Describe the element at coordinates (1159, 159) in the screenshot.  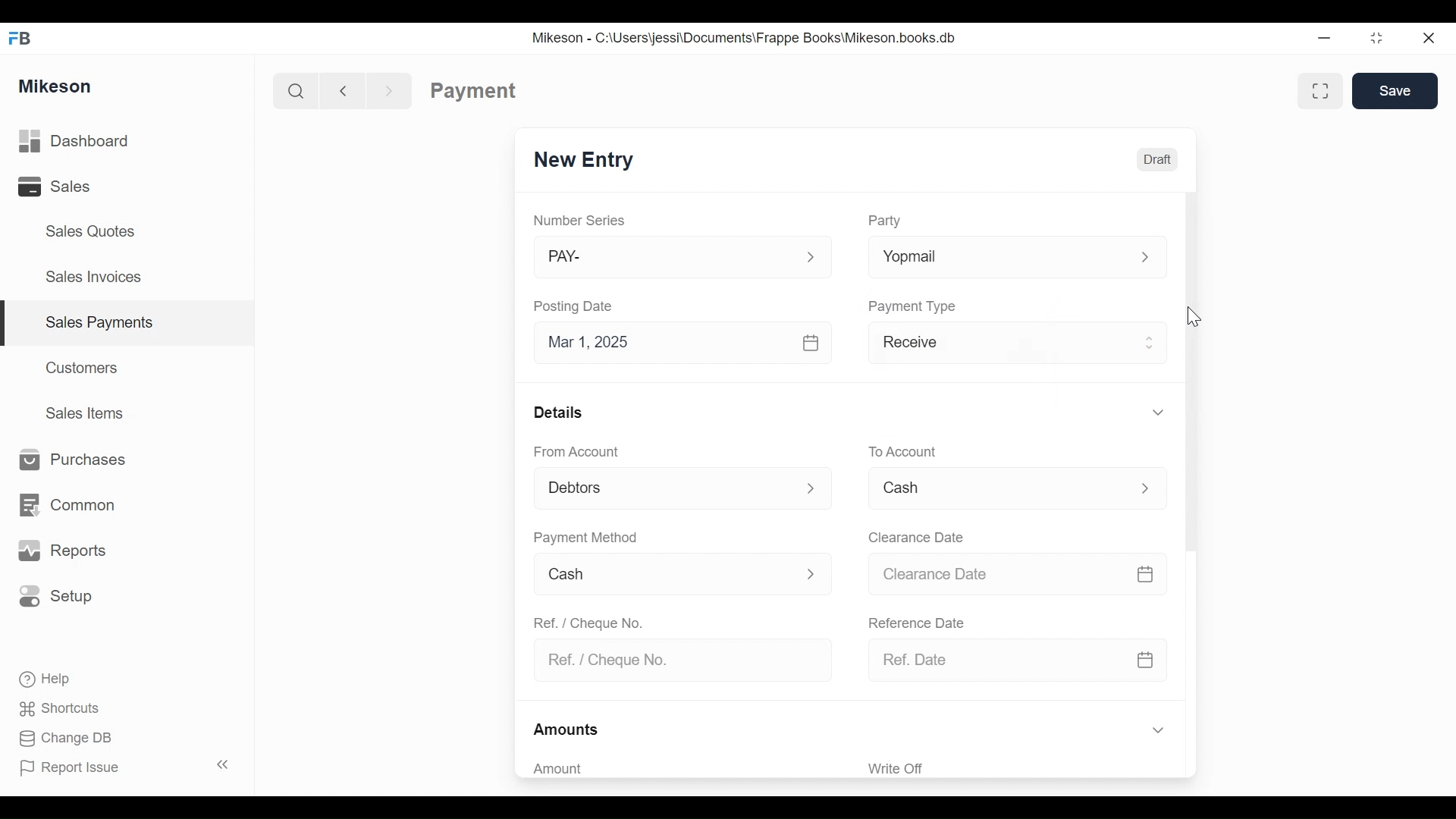
I see `Draft` at that location.